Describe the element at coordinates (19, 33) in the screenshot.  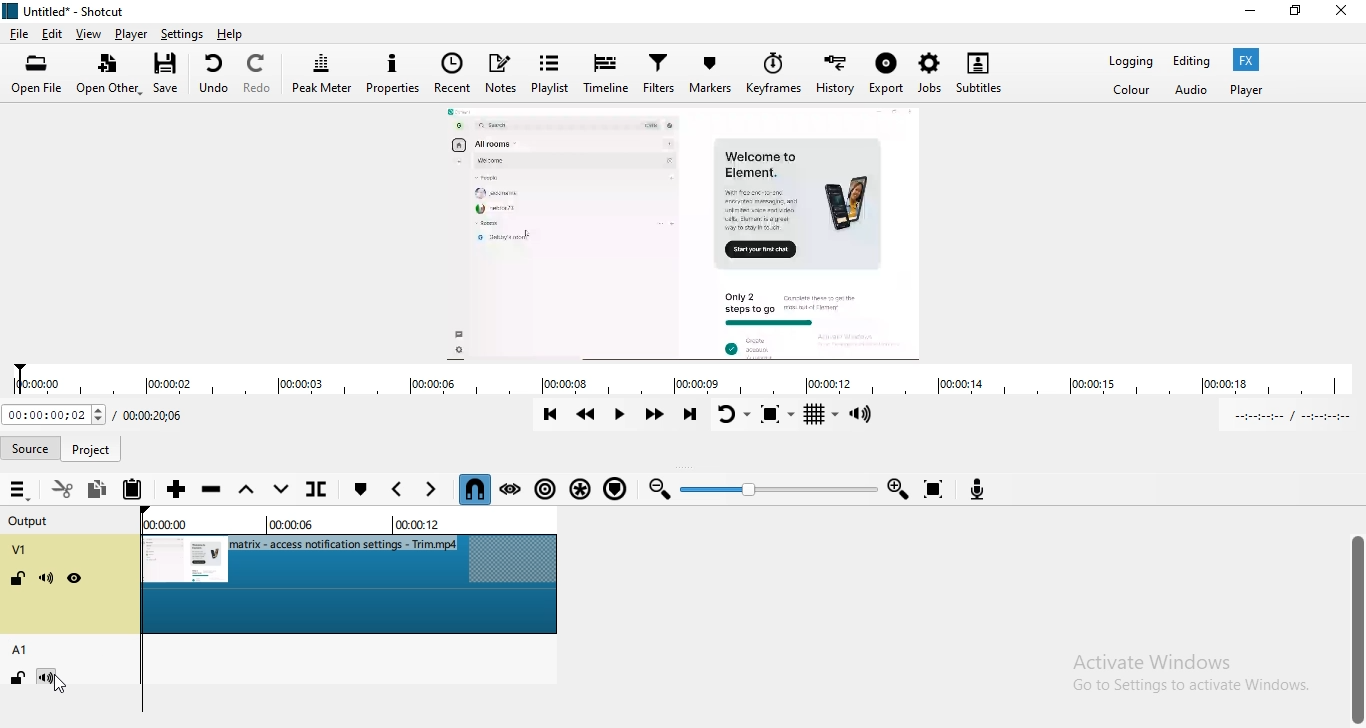
I see `File` at that location.